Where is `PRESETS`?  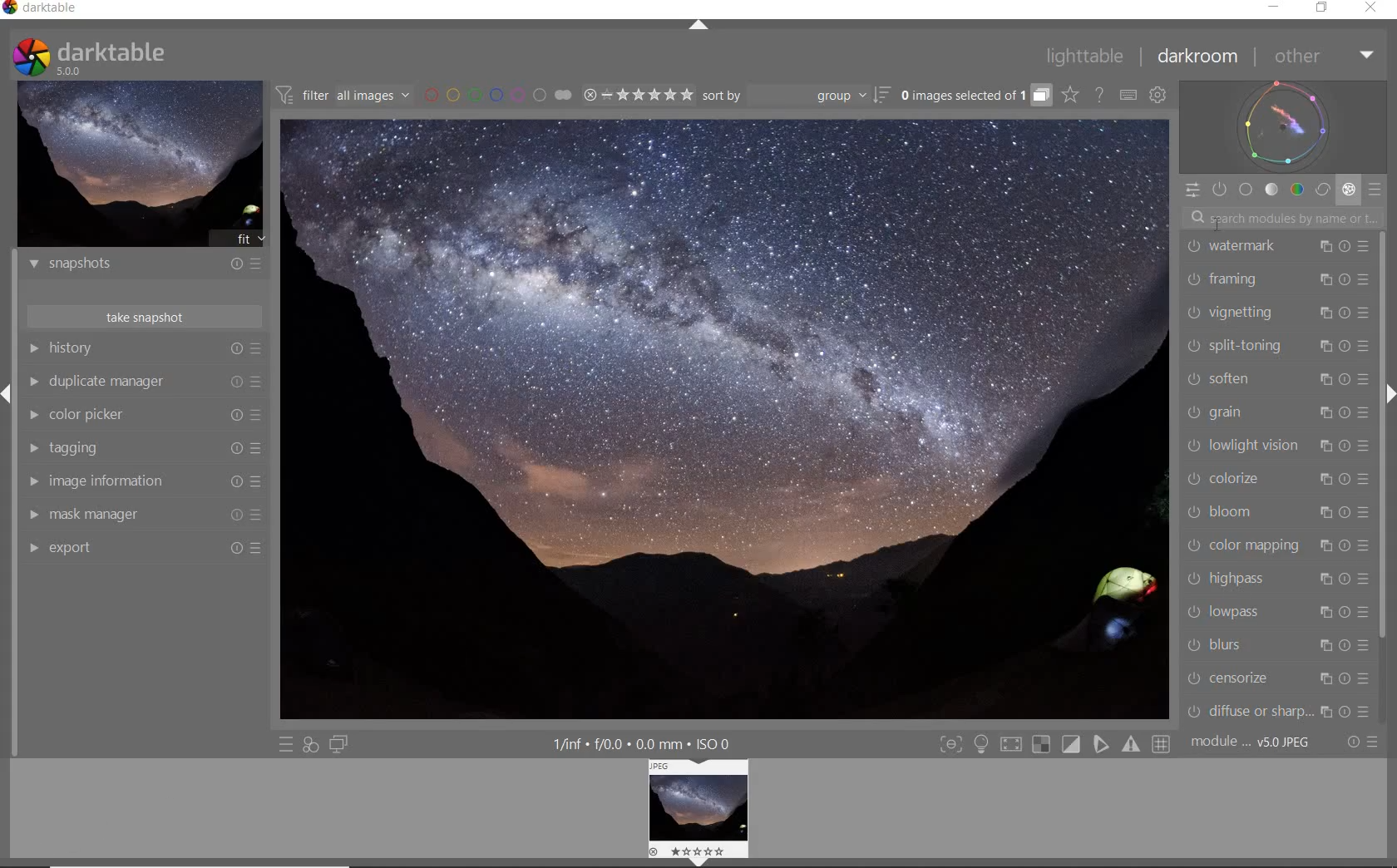
PRESETS is located at coordinates (1375, 192).